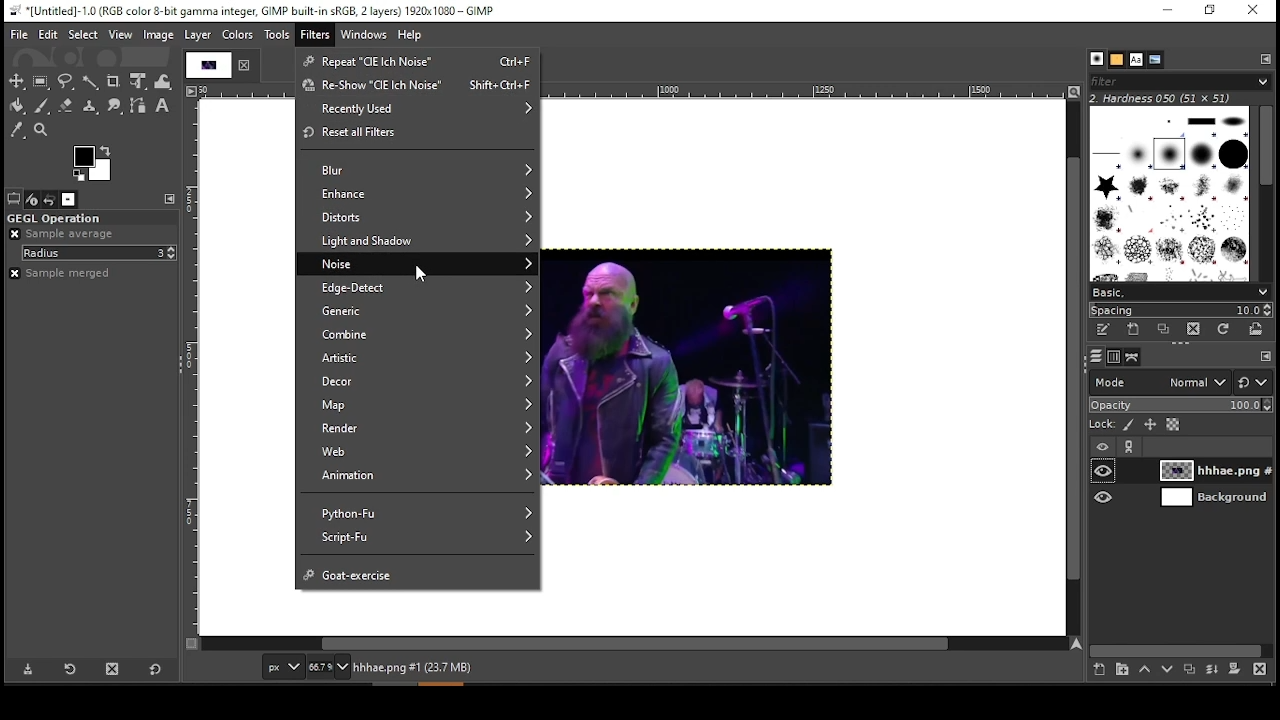  Describe the element at coordinates (419, 194) in the screenshot. I see `enhance` at that location.